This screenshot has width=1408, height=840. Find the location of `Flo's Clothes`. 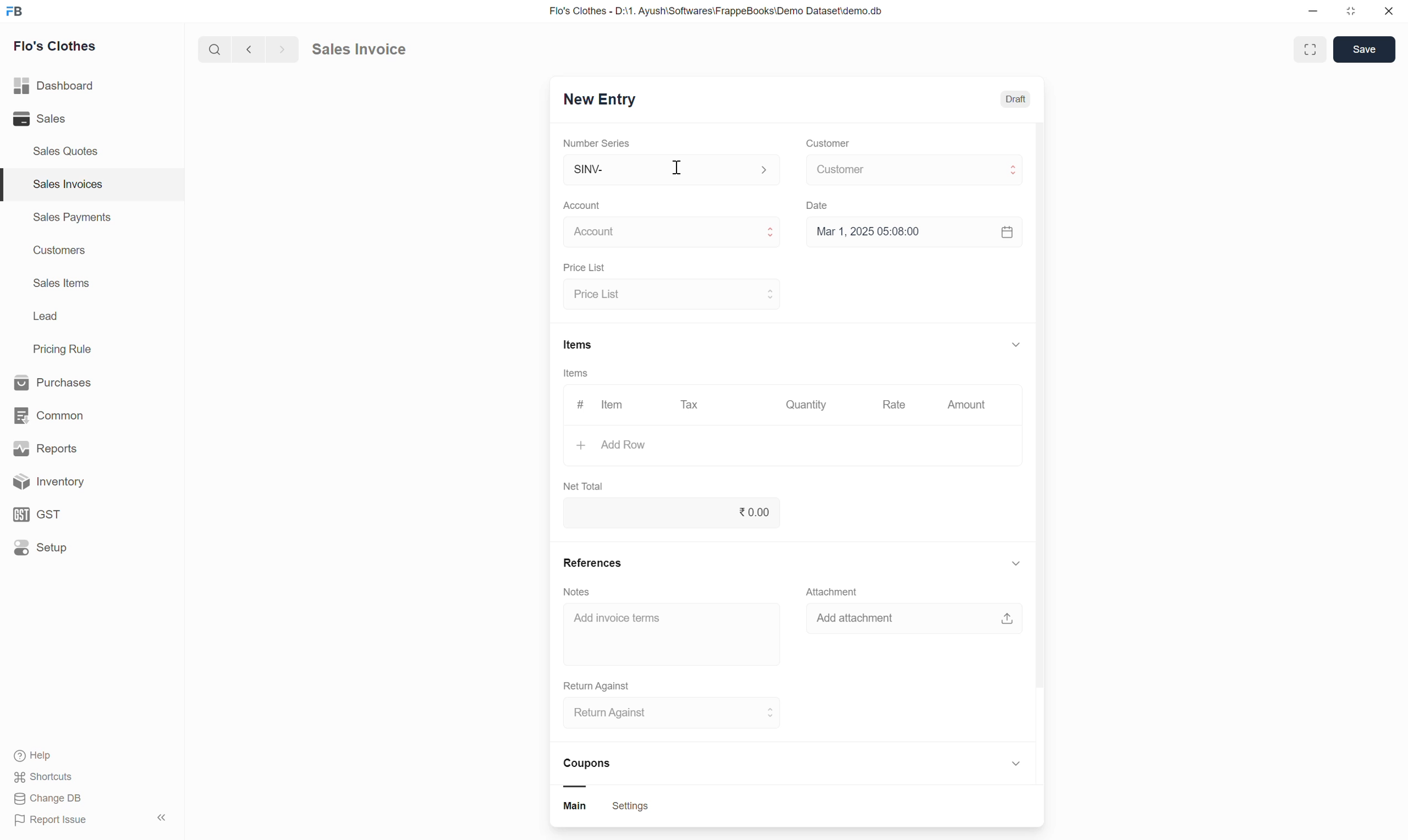

Flo's Clothes is located at coordinates (61, 48).